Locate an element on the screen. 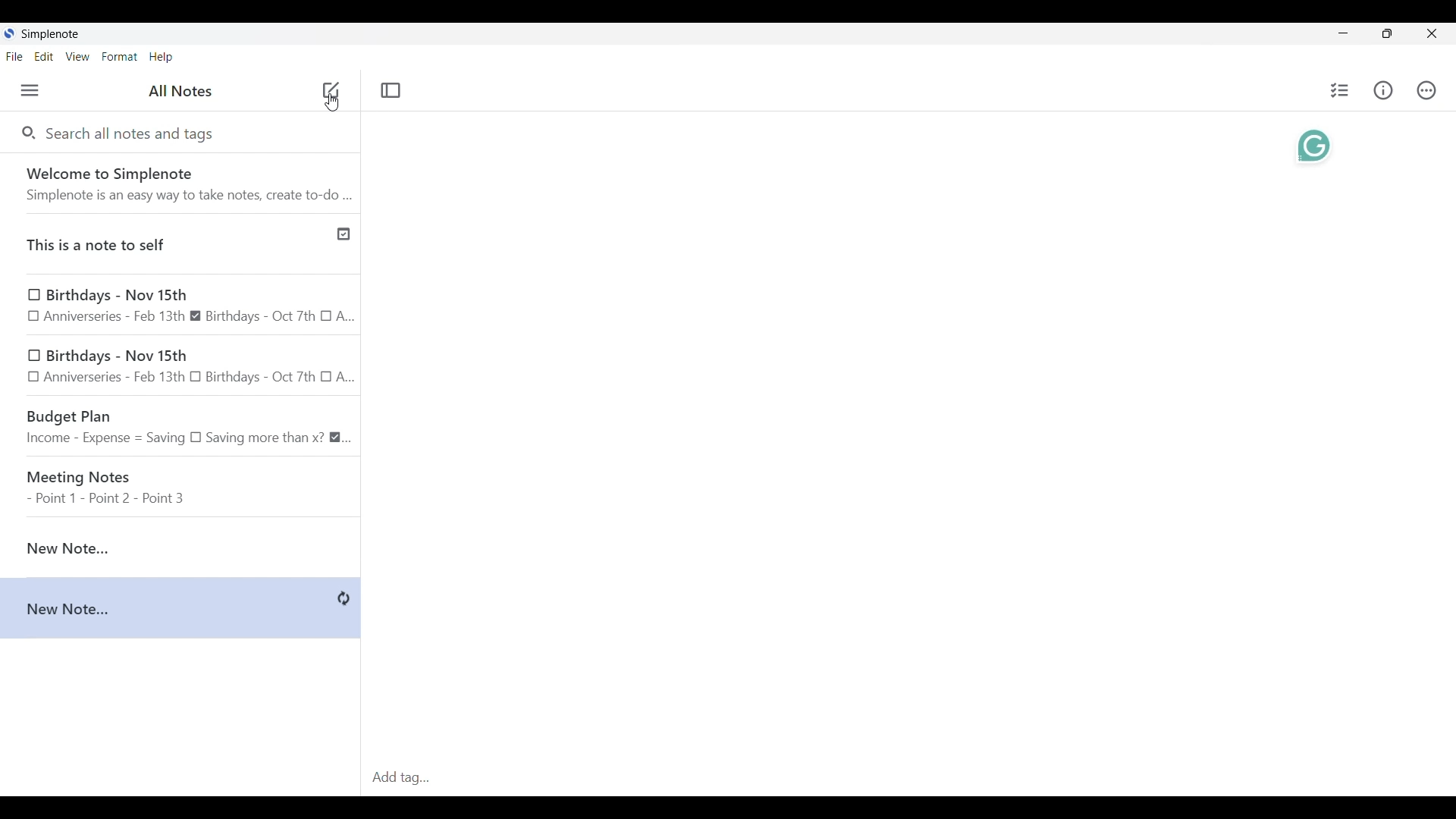  Menu is located at coordinates (30, 90).